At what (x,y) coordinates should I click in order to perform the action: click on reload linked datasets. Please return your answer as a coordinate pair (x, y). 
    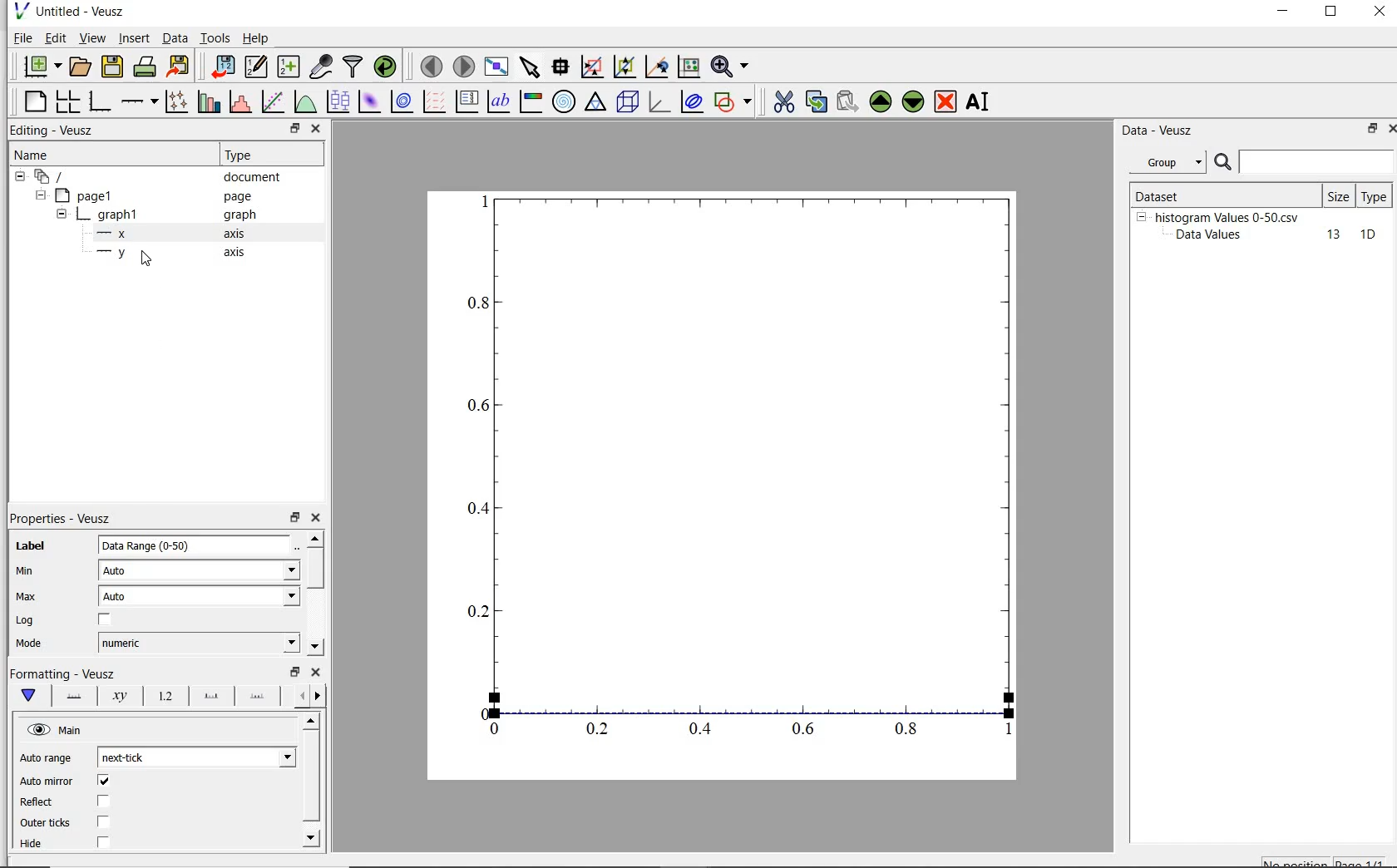
    Looking at the image, I should click on (388, 67).